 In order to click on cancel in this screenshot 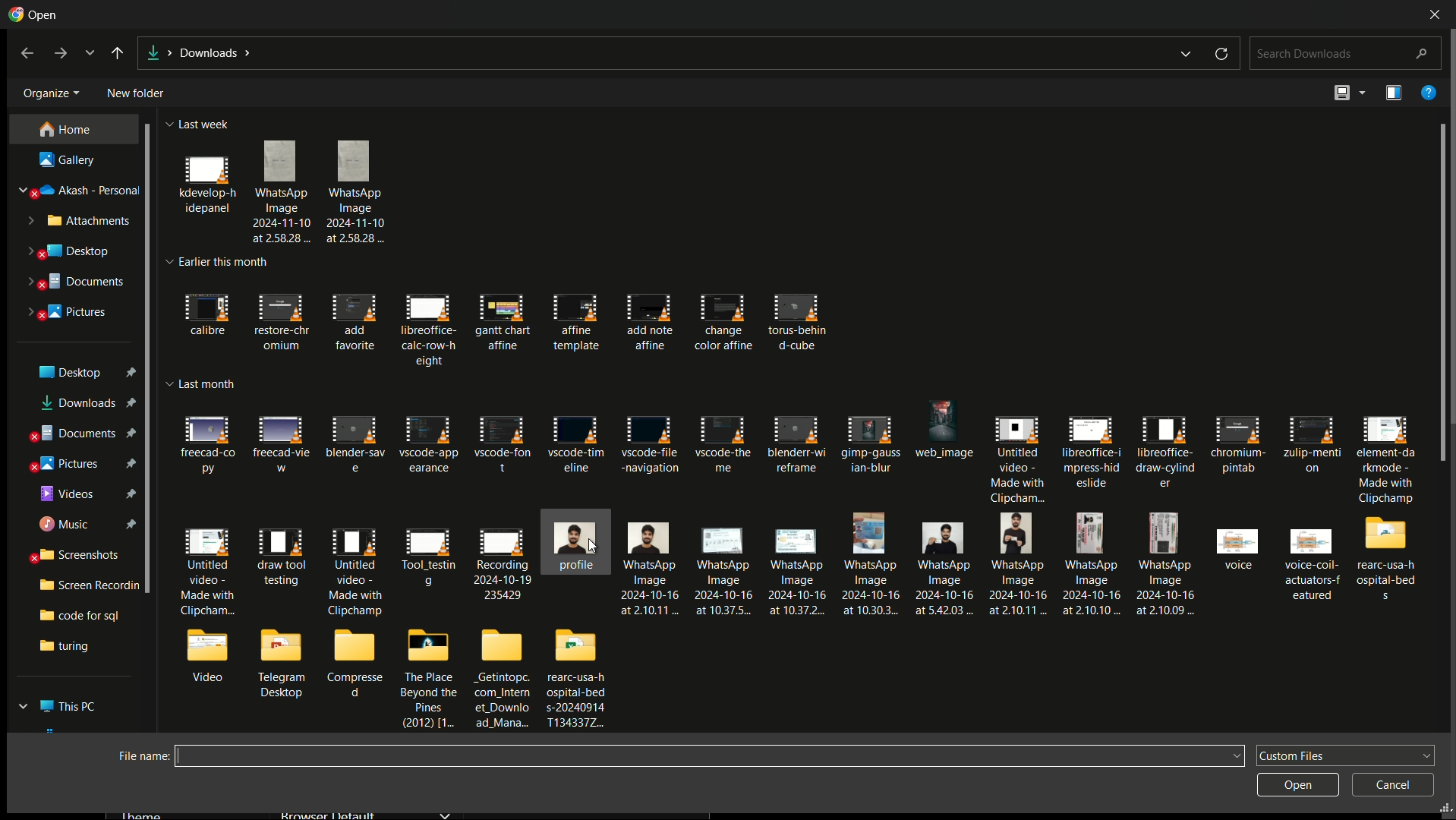, I will do `click(1393, 786)`.